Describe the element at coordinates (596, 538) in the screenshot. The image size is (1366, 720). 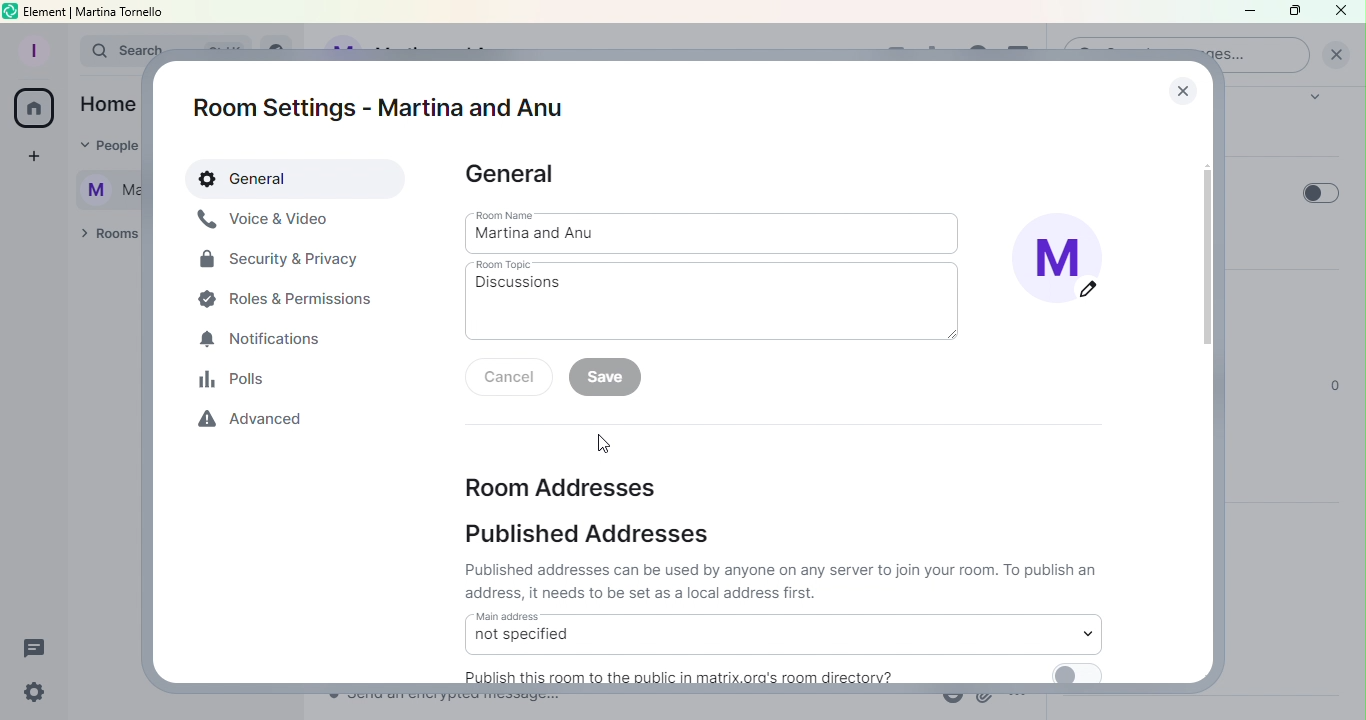
I see `Published addresses` at that location.